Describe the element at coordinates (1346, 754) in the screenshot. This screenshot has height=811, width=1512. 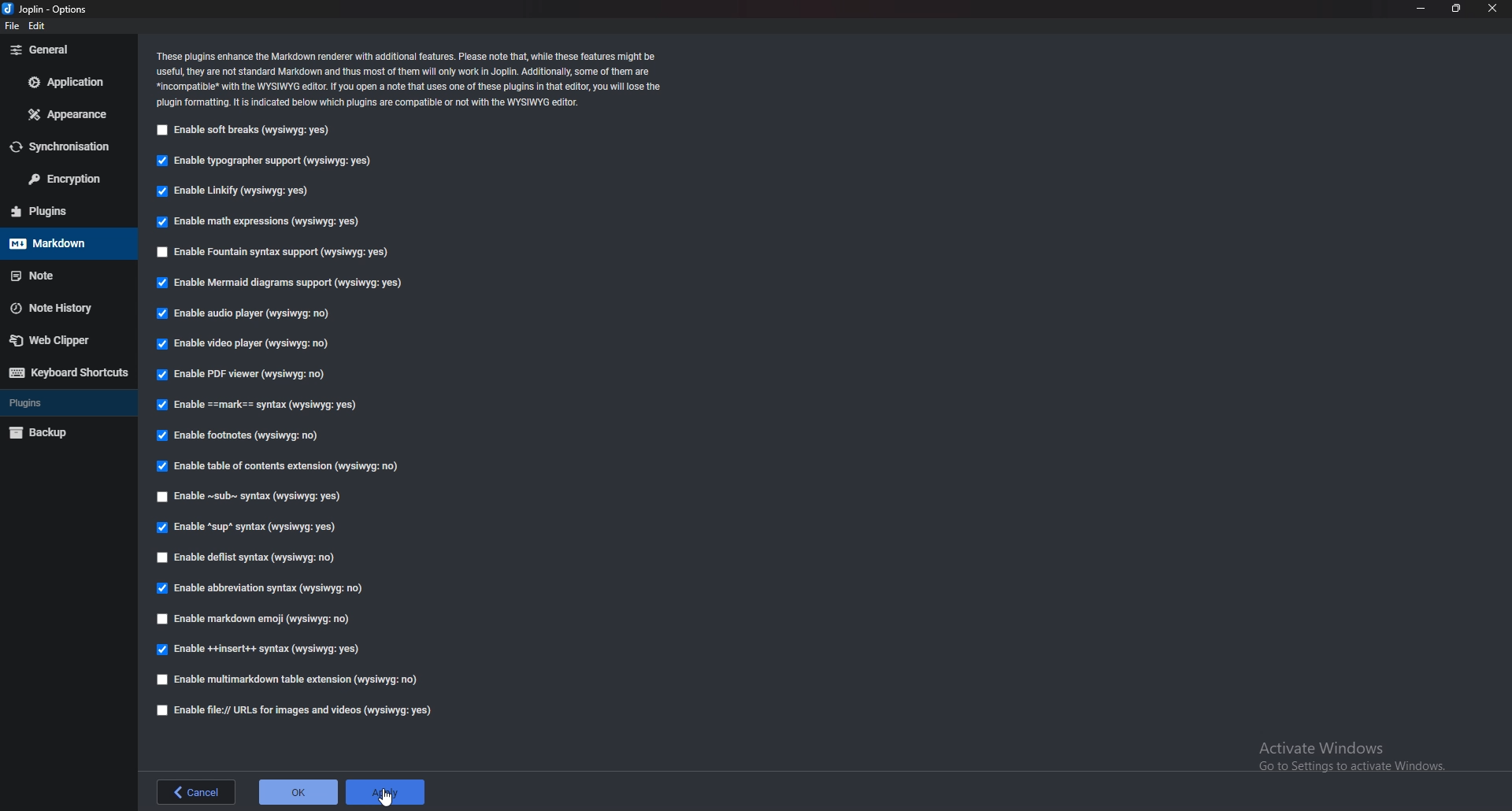
I see `Activate Windows` at that location.